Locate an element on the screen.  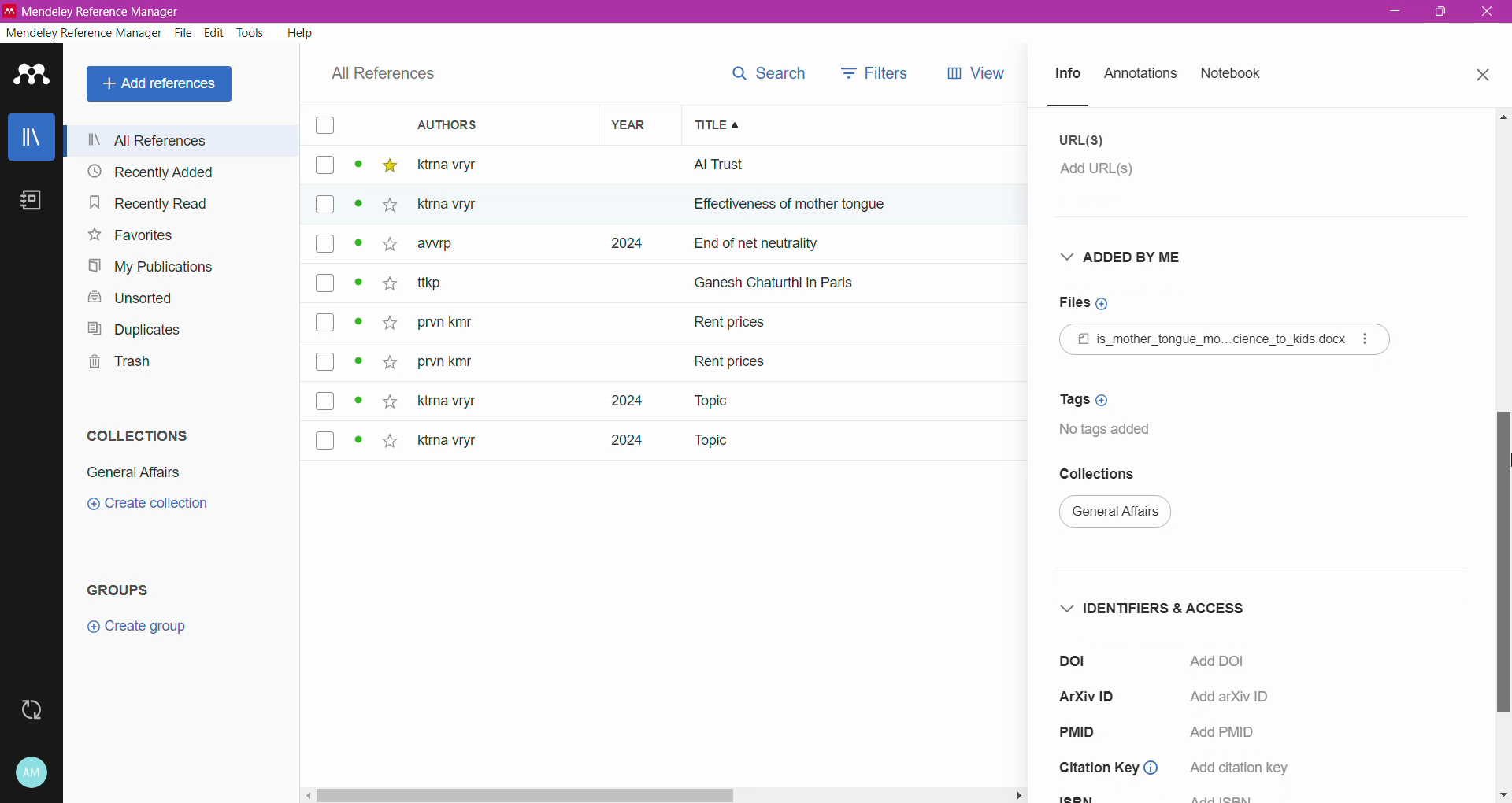
~ ttkp is located at coordinates (455, 283).